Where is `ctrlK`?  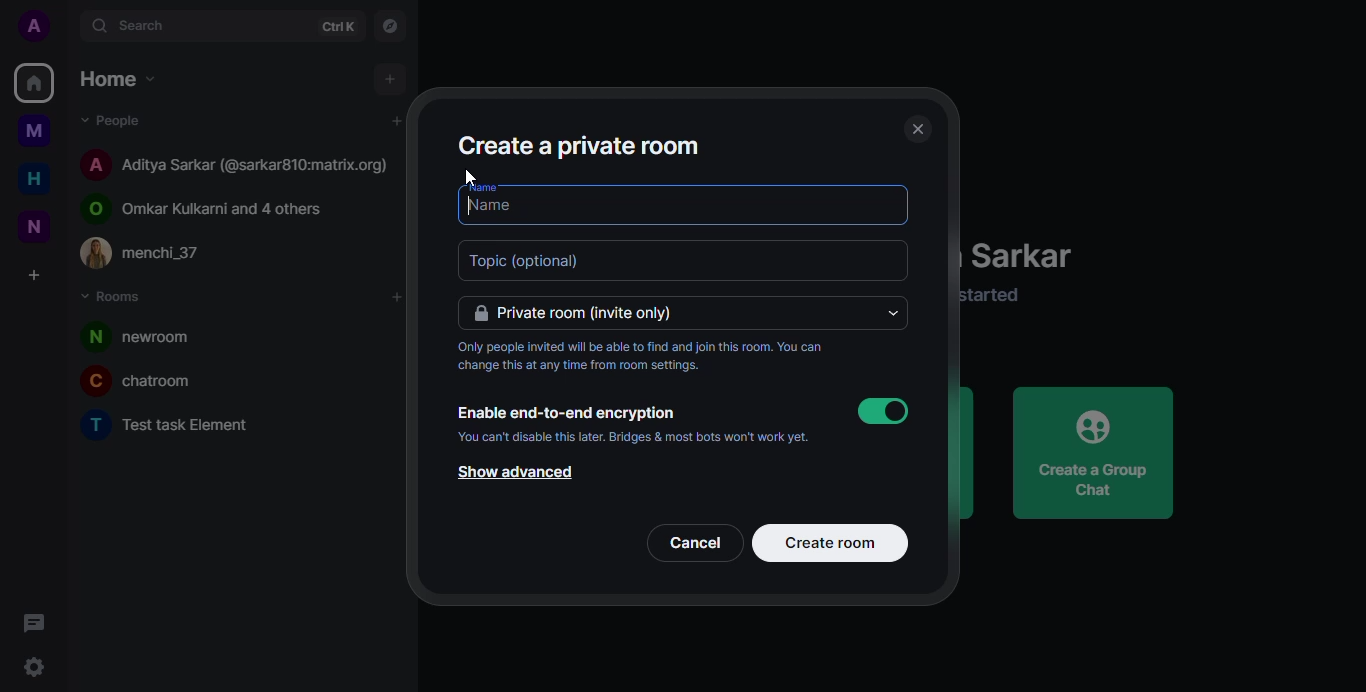
ctrlK is located at coordinates (337, 27).